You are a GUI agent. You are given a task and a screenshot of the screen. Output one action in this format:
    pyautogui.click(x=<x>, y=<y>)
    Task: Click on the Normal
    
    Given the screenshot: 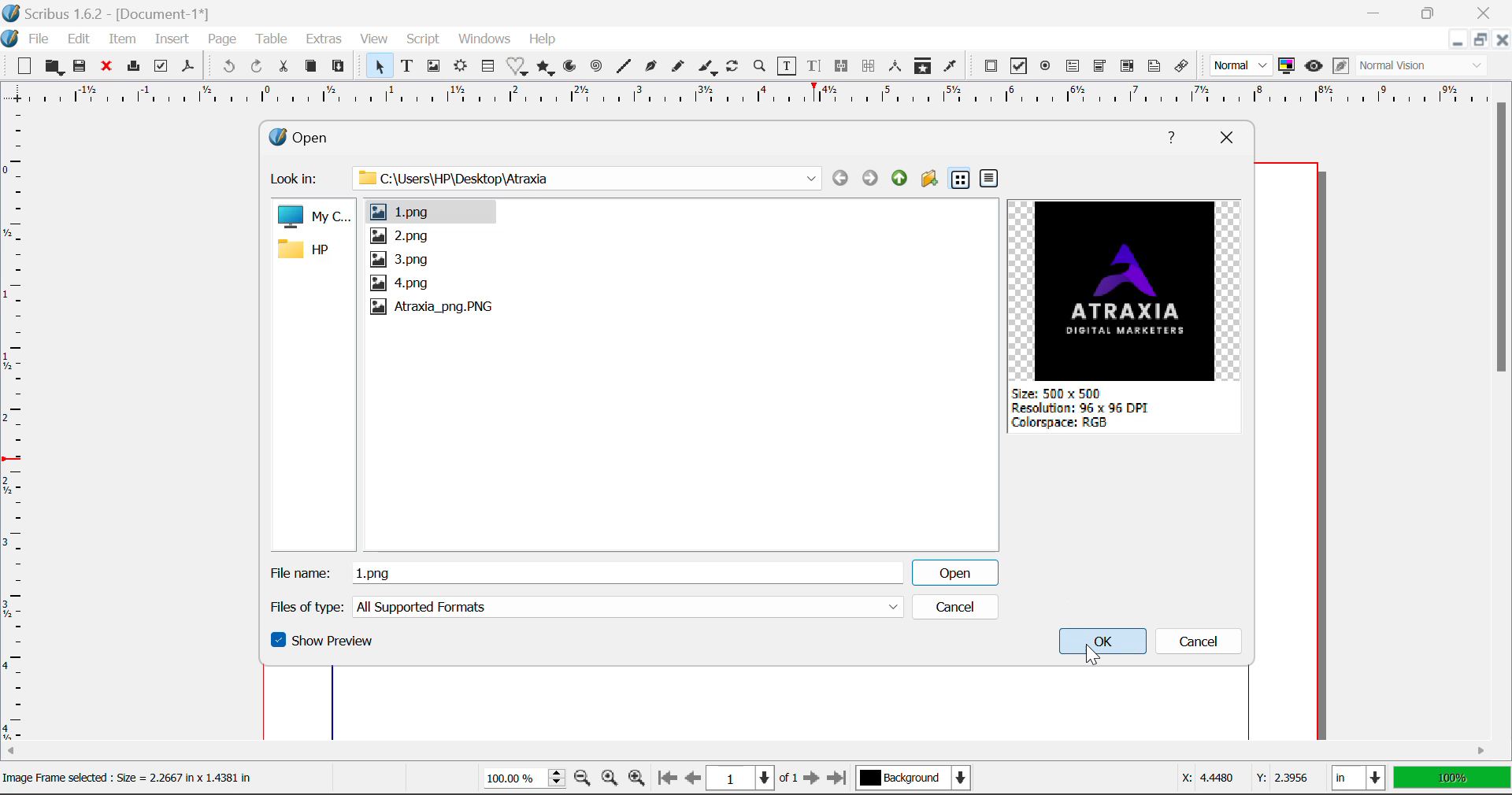 What is the action you would take?
    pyautogui.click(x=1243, y=65)
    